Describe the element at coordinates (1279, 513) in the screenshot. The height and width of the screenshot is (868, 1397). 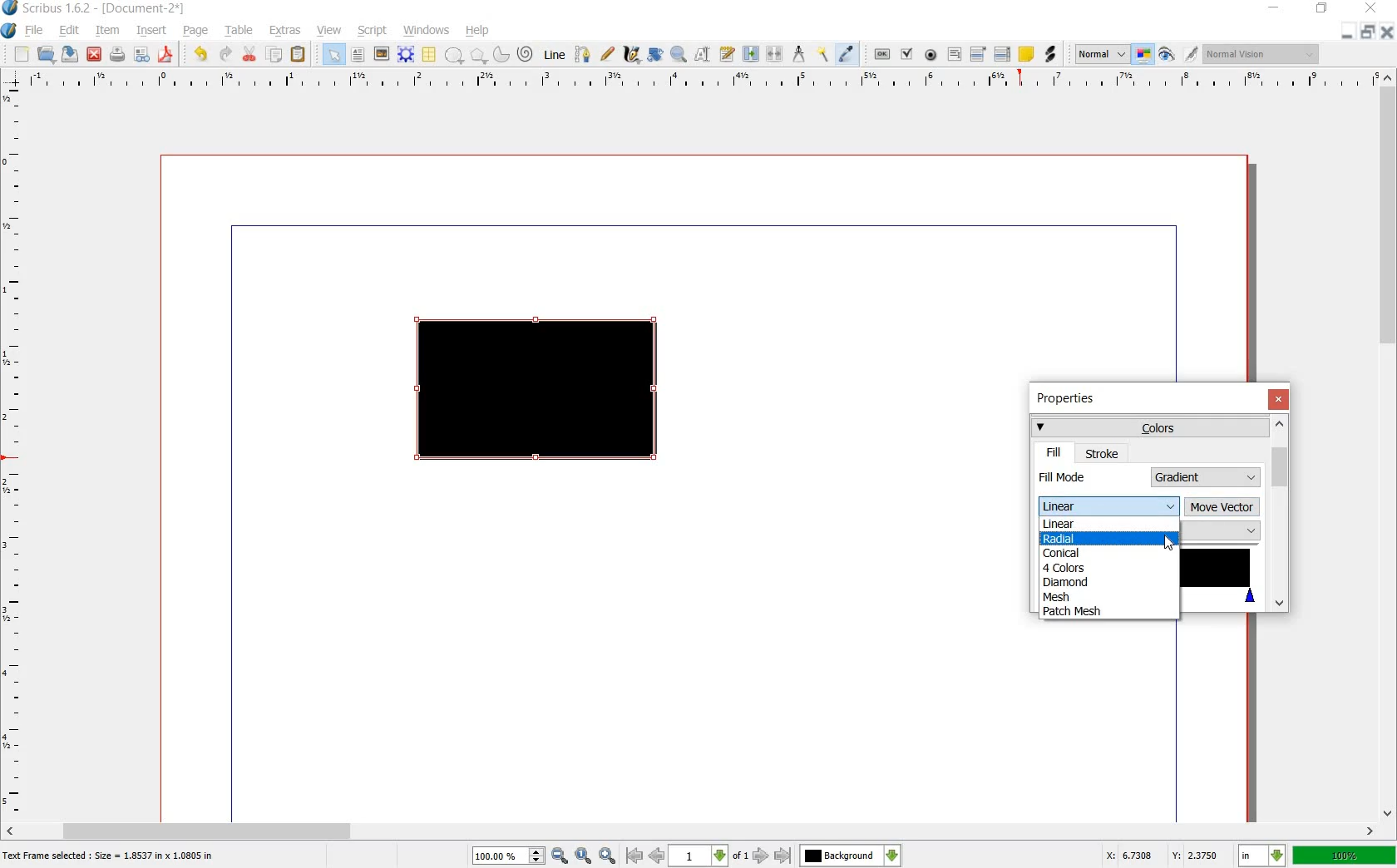
I see `scrollbar` at that location.